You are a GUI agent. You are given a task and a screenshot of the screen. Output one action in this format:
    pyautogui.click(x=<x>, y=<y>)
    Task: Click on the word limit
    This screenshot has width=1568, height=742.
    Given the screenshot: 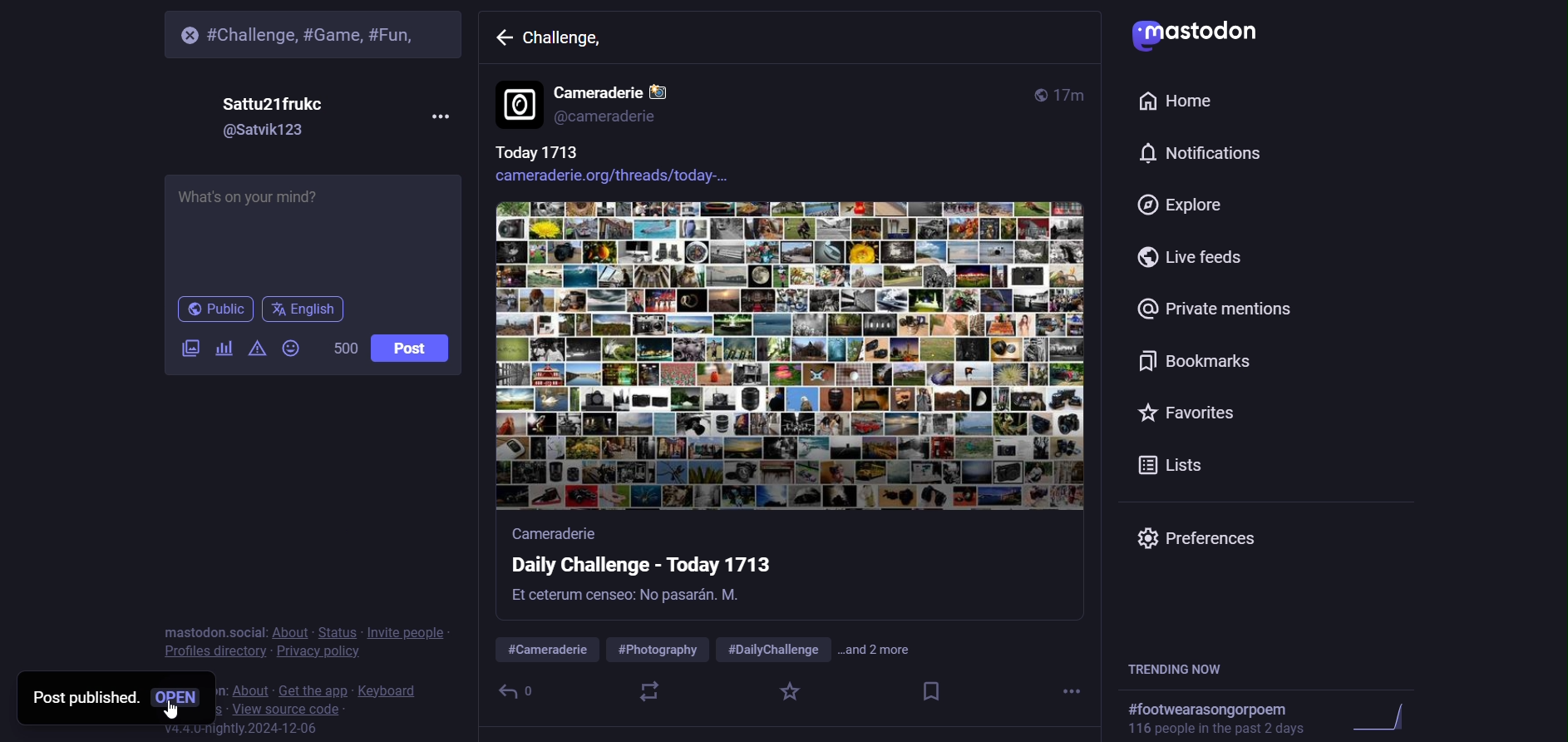 What is the action you would take?
    pyautogui.click(x=343, y=349)
    